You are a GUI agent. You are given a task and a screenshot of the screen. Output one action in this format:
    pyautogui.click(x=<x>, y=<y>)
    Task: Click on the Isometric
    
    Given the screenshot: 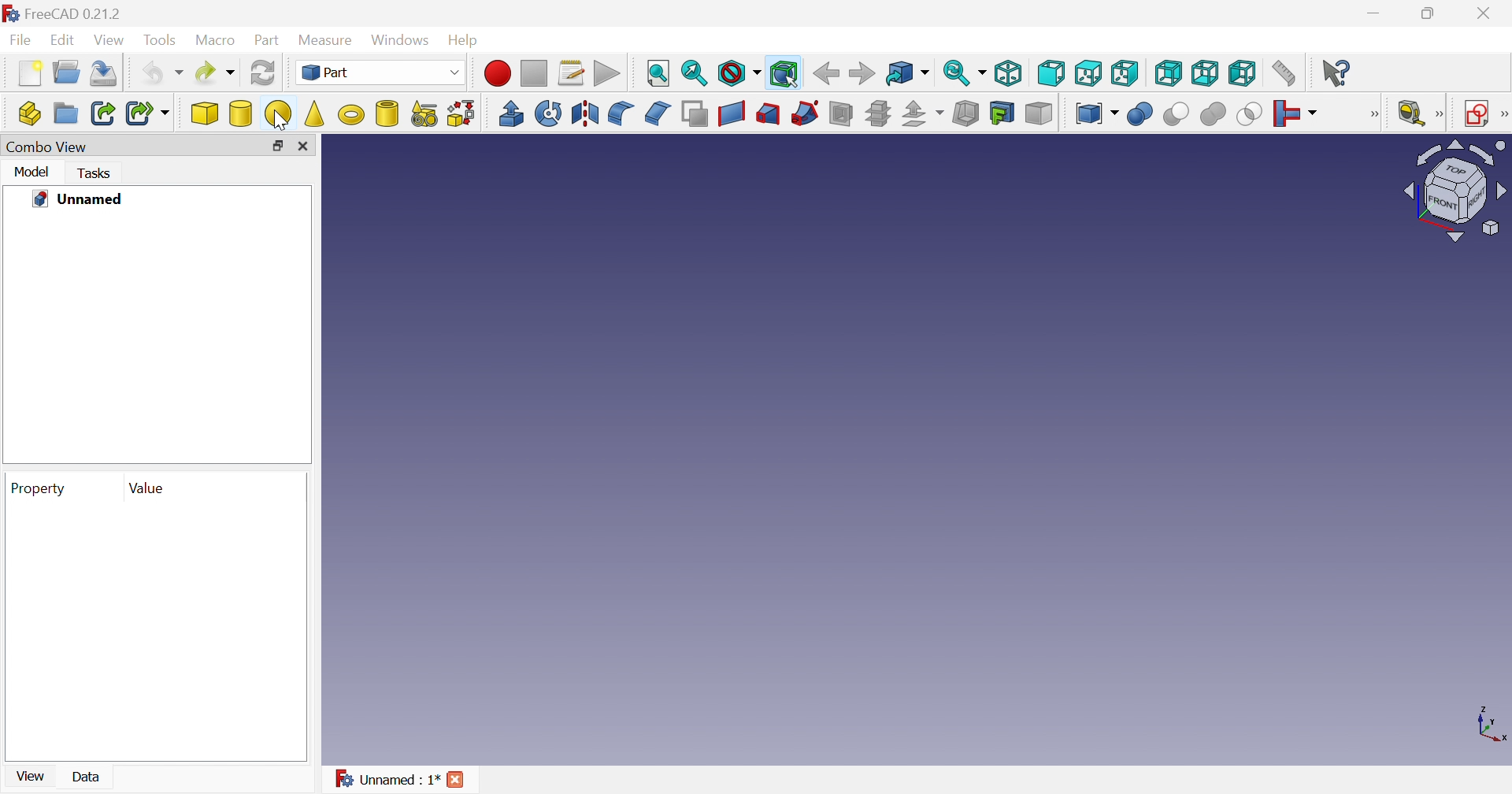 What is the action you would take?
    pyautogui.click(x=1010, y=72)
    